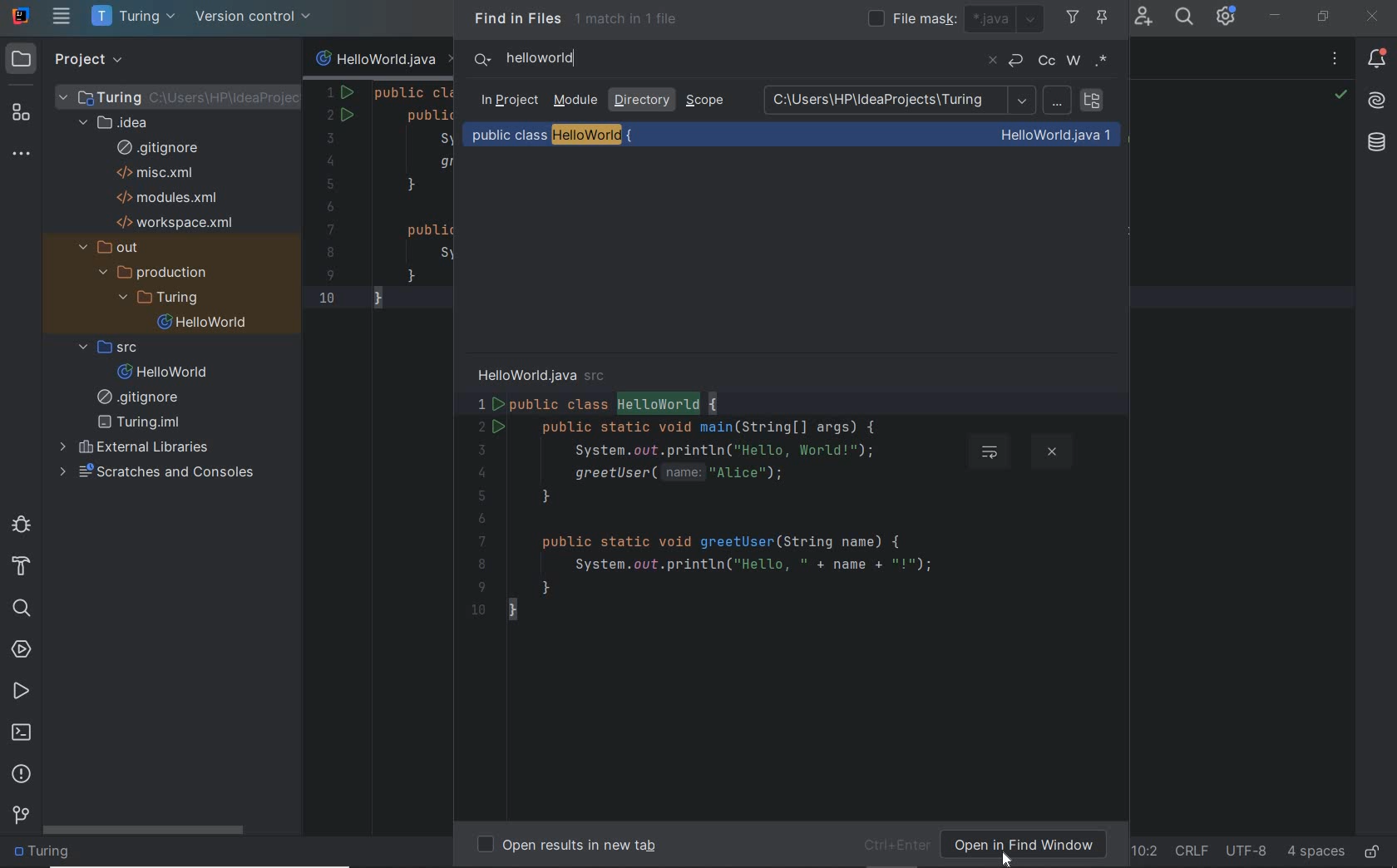  Describe the element at coordinates (640, 106) in the screenshot. I see `directory` at that location.